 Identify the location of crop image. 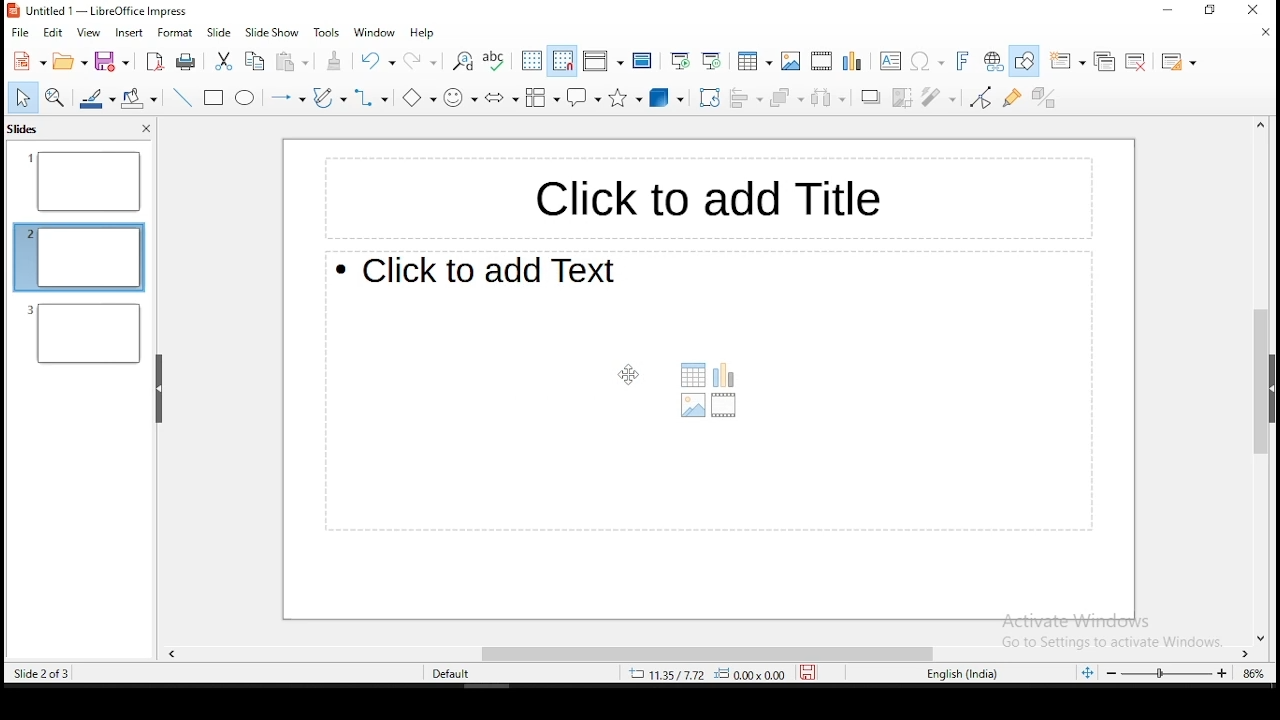
(904, 97).